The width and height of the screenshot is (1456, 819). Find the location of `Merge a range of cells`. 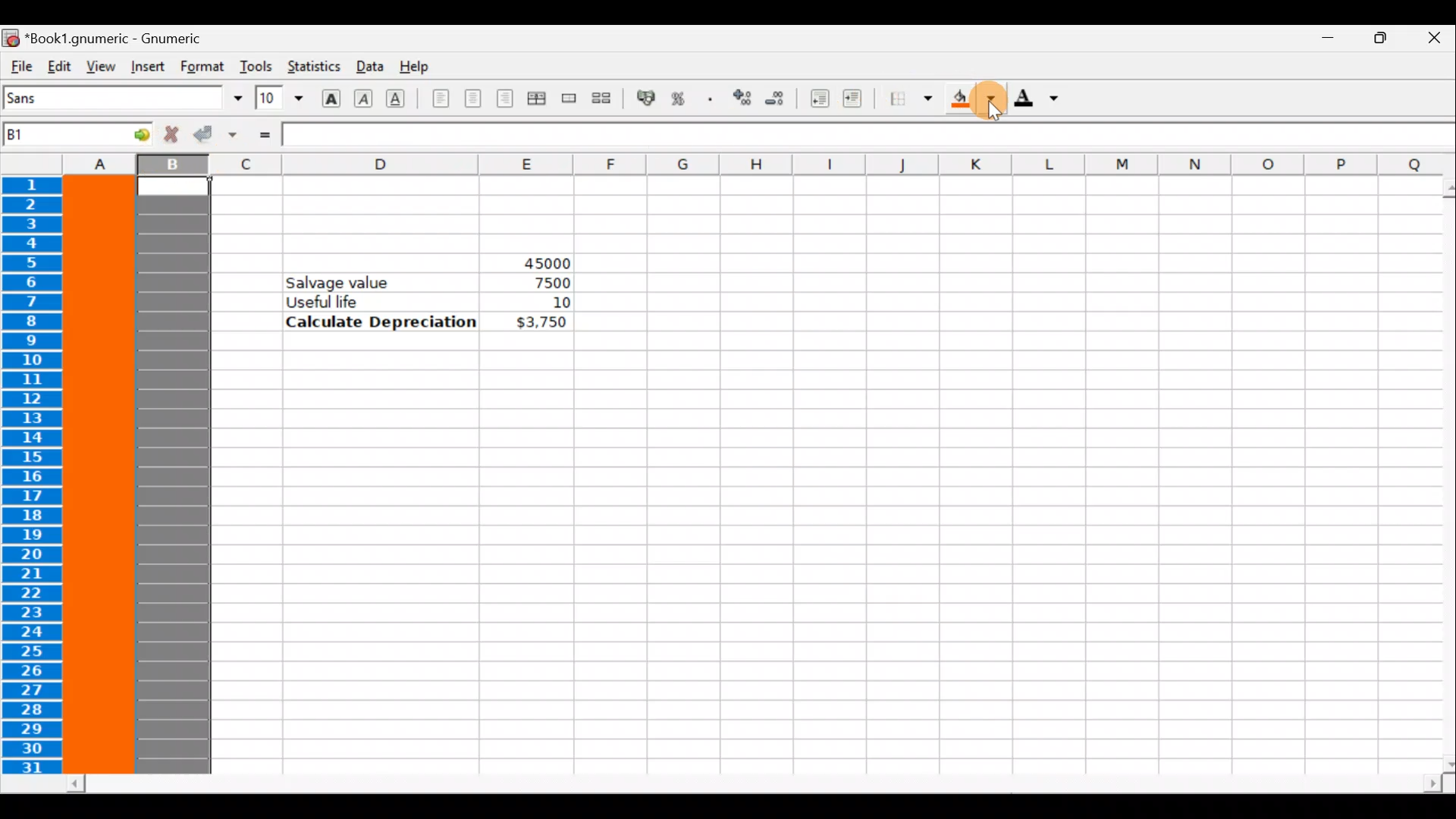

Merge a range of cells is located at coordinates (570, 101).